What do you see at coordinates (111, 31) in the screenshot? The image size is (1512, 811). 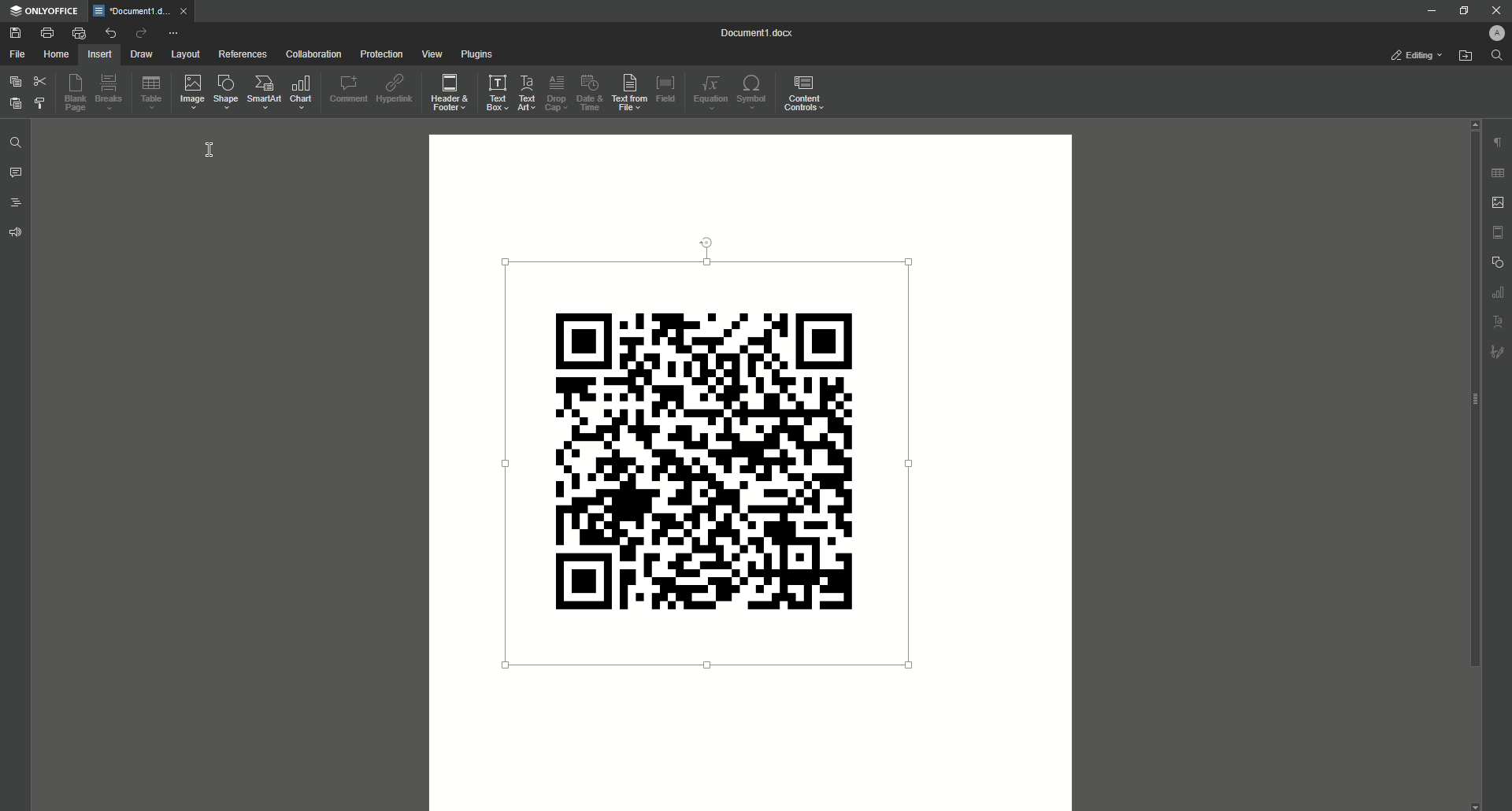 I see `Undo` at bounding box center [111, 31].